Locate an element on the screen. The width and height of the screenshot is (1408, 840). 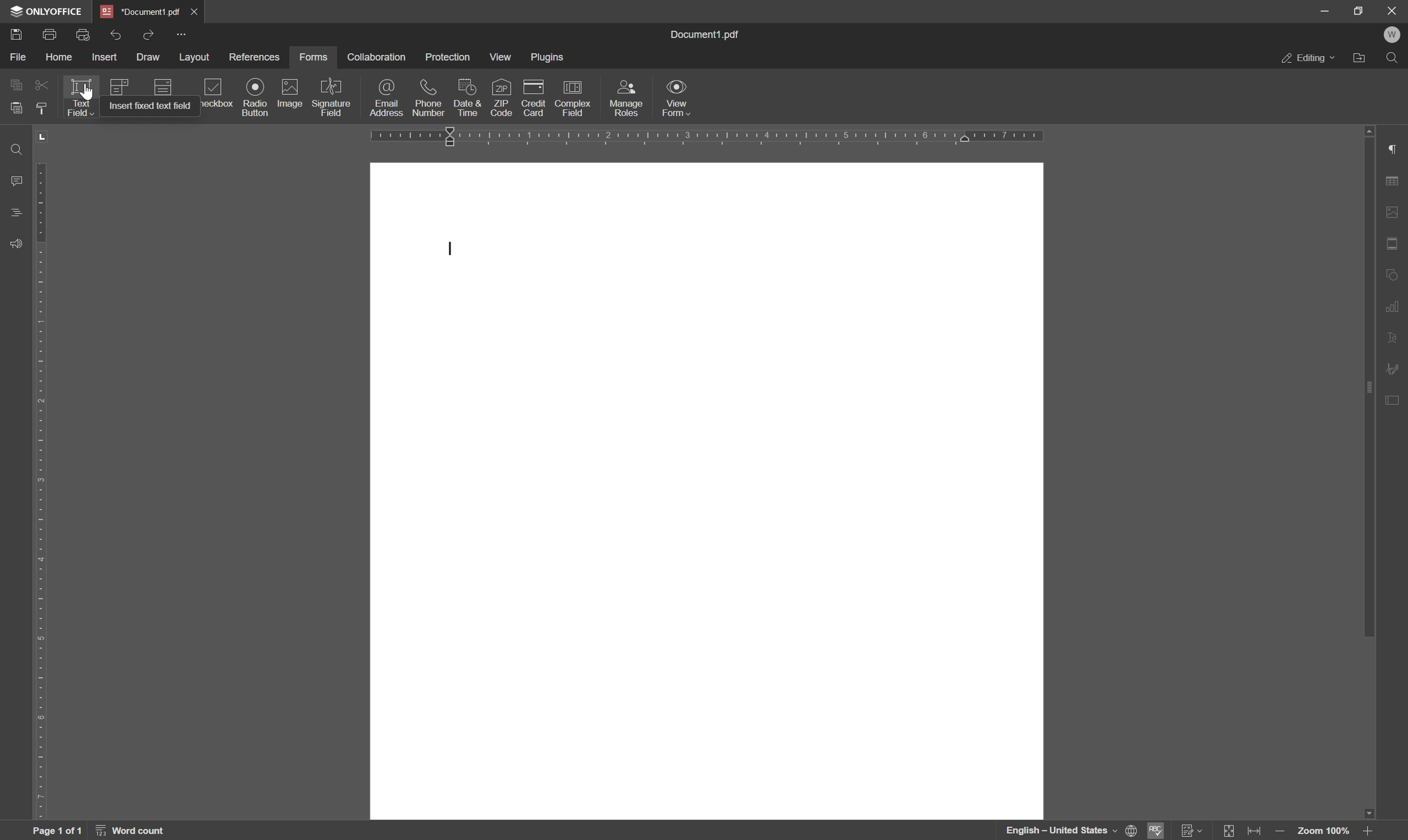
checkbox is located at coordinates (217, 91).